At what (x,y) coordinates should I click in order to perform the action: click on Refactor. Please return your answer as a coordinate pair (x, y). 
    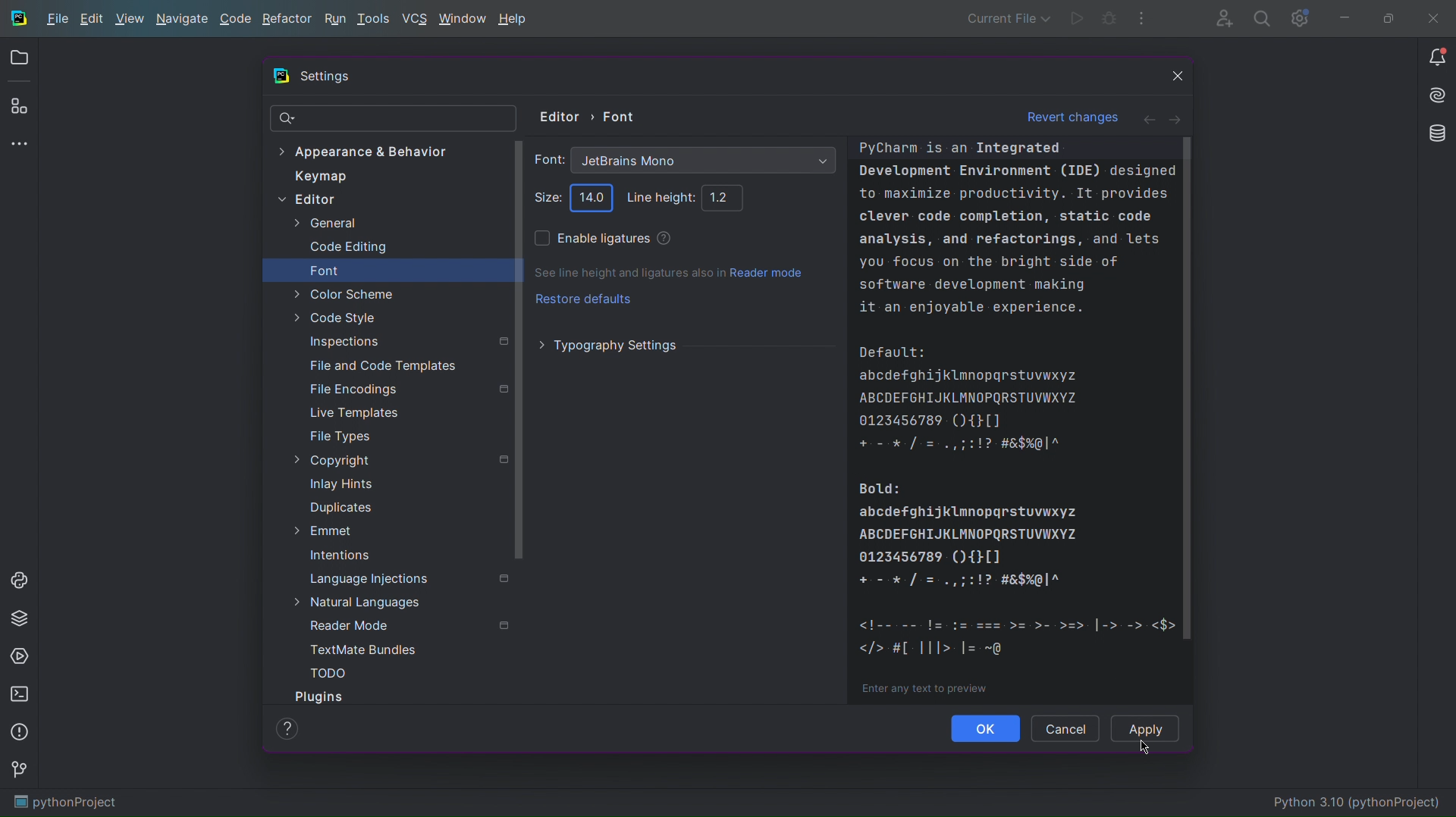
    Looking at the image, I should click on (287, 21).